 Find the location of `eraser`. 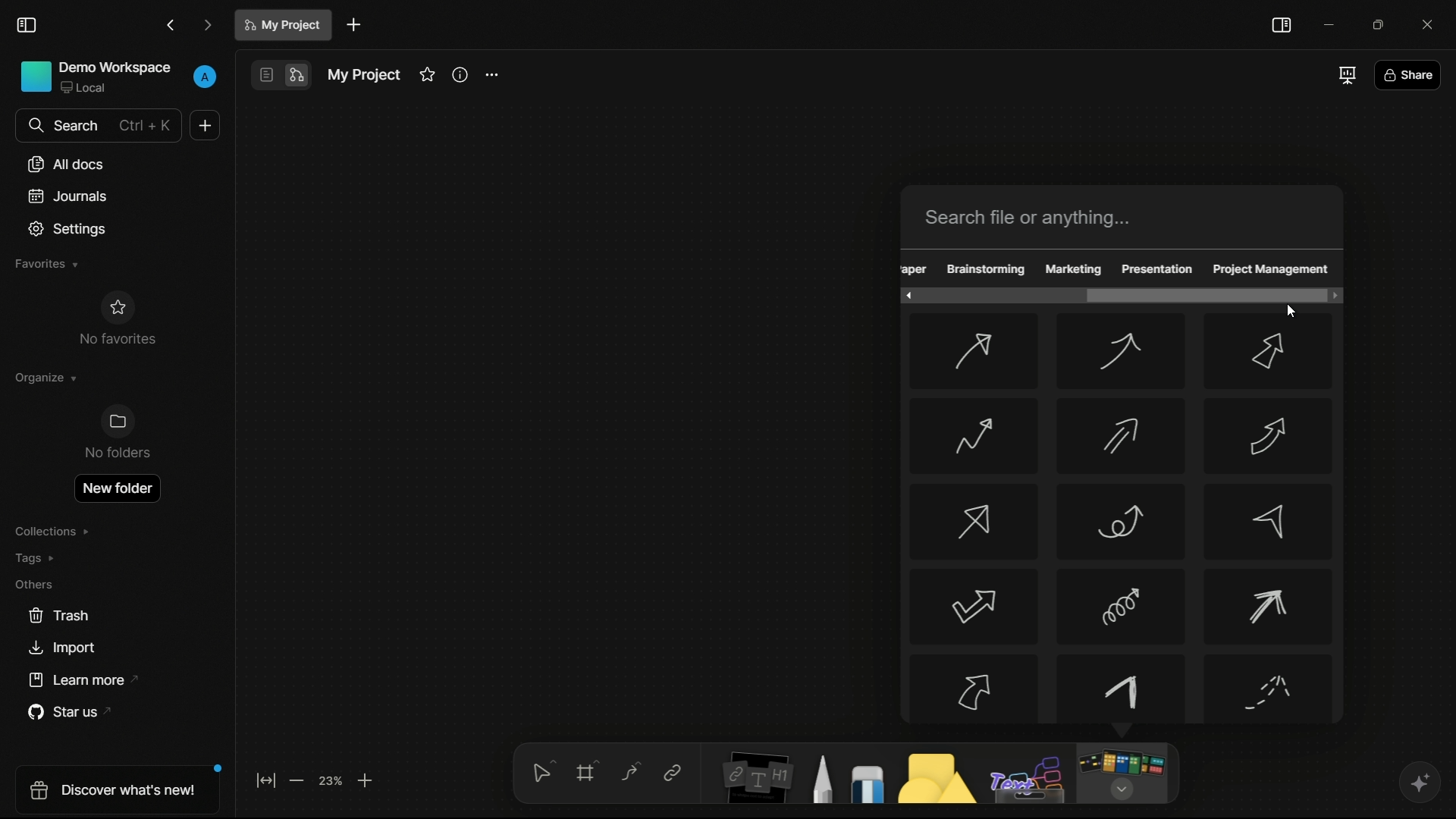

eraser is located at coordinates (868, 783).